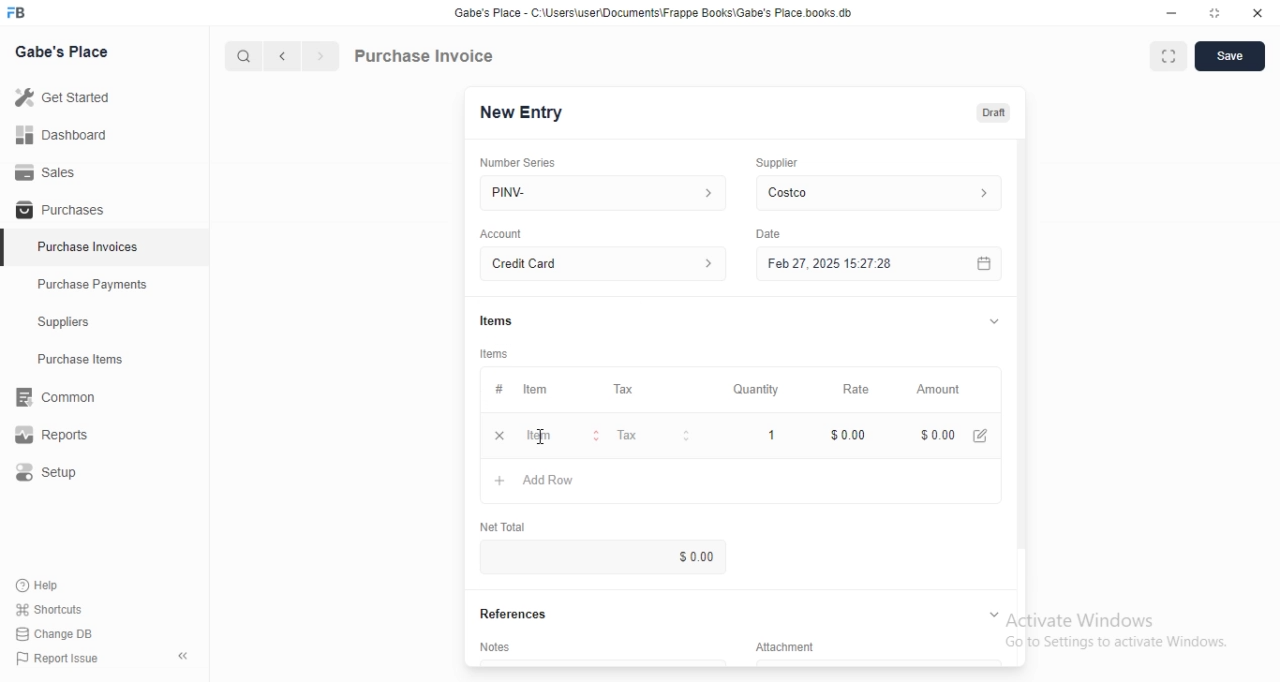 Image resolution: width=1280 pixels, height=682 pixels. Describe the element at coordinates (494, 354) in the screenshot. I see `Items` at that location.